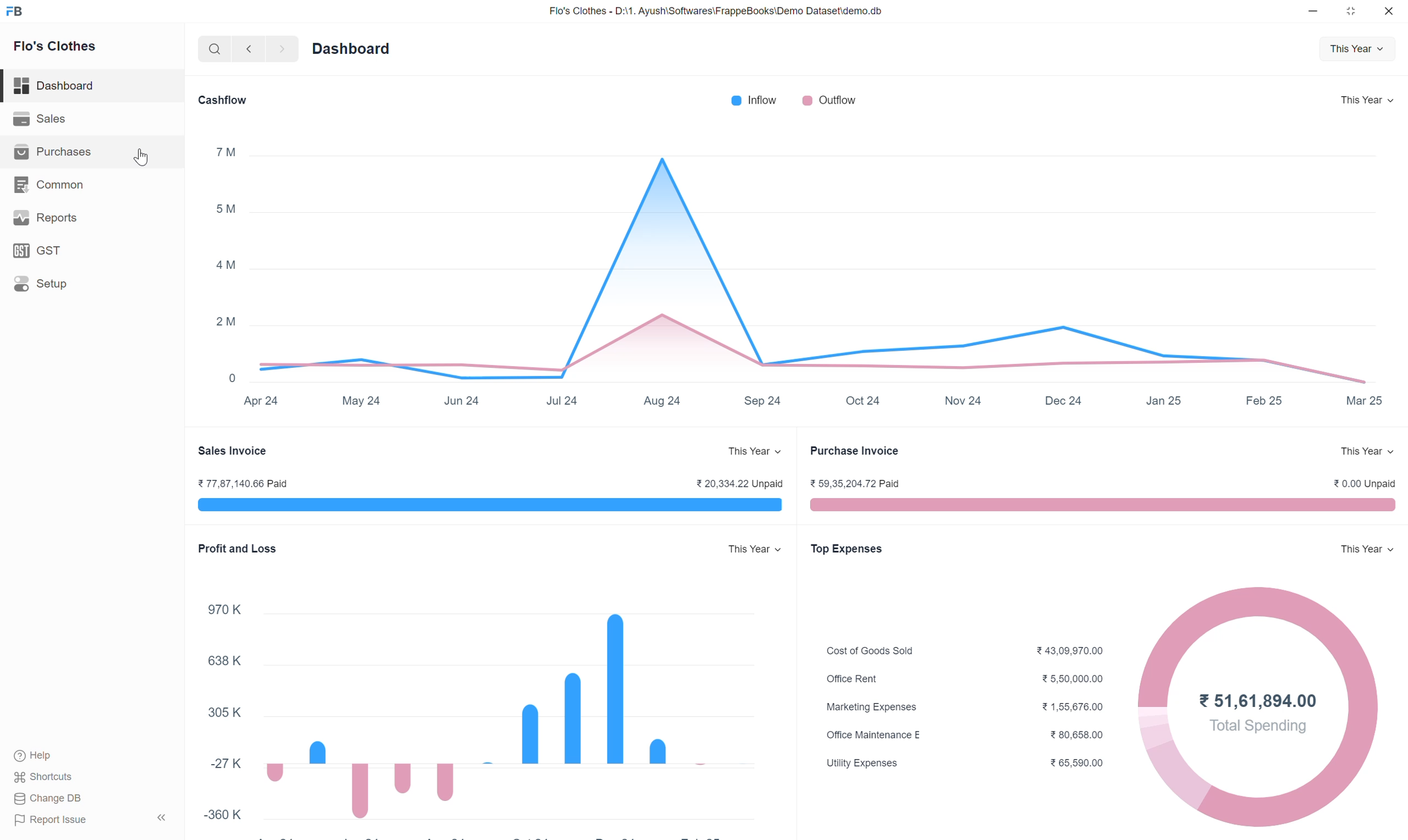  I want to click on GST, so click(38, 250).